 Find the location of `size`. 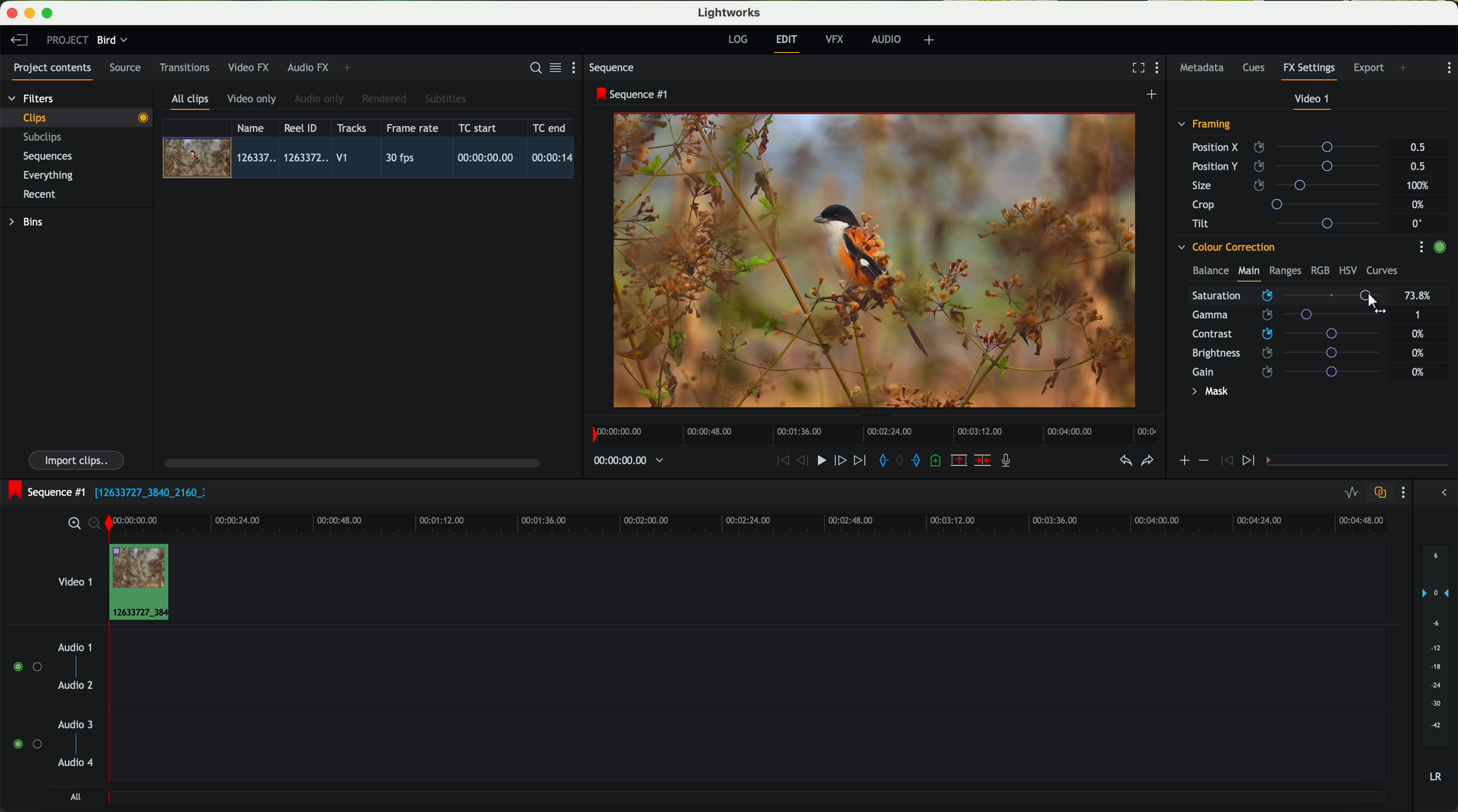

size is located at coordinates (1289, 186).